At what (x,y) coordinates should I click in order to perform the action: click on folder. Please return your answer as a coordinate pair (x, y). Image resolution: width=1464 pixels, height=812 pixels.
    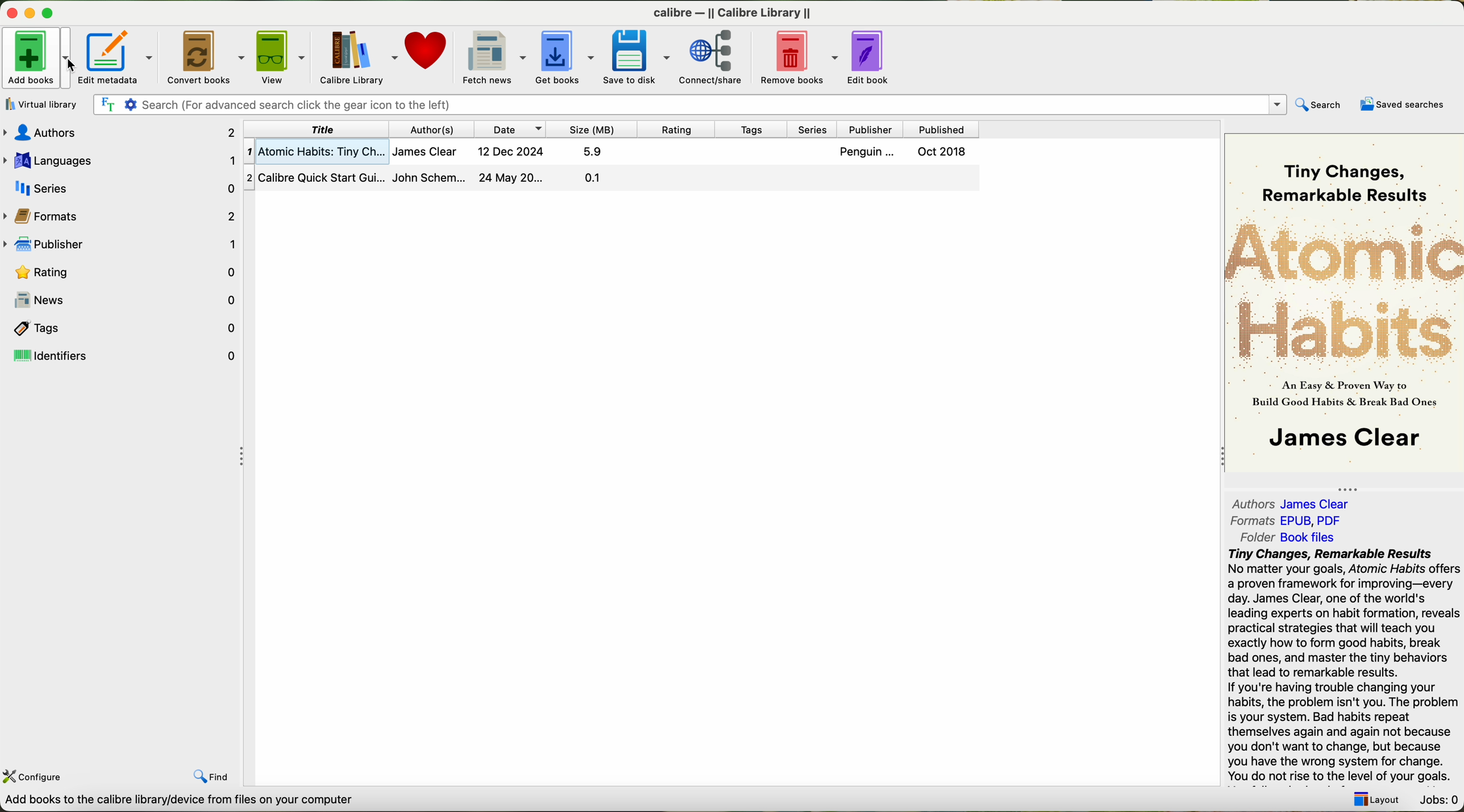
    Looking at the image, I should click on (1286, 538).